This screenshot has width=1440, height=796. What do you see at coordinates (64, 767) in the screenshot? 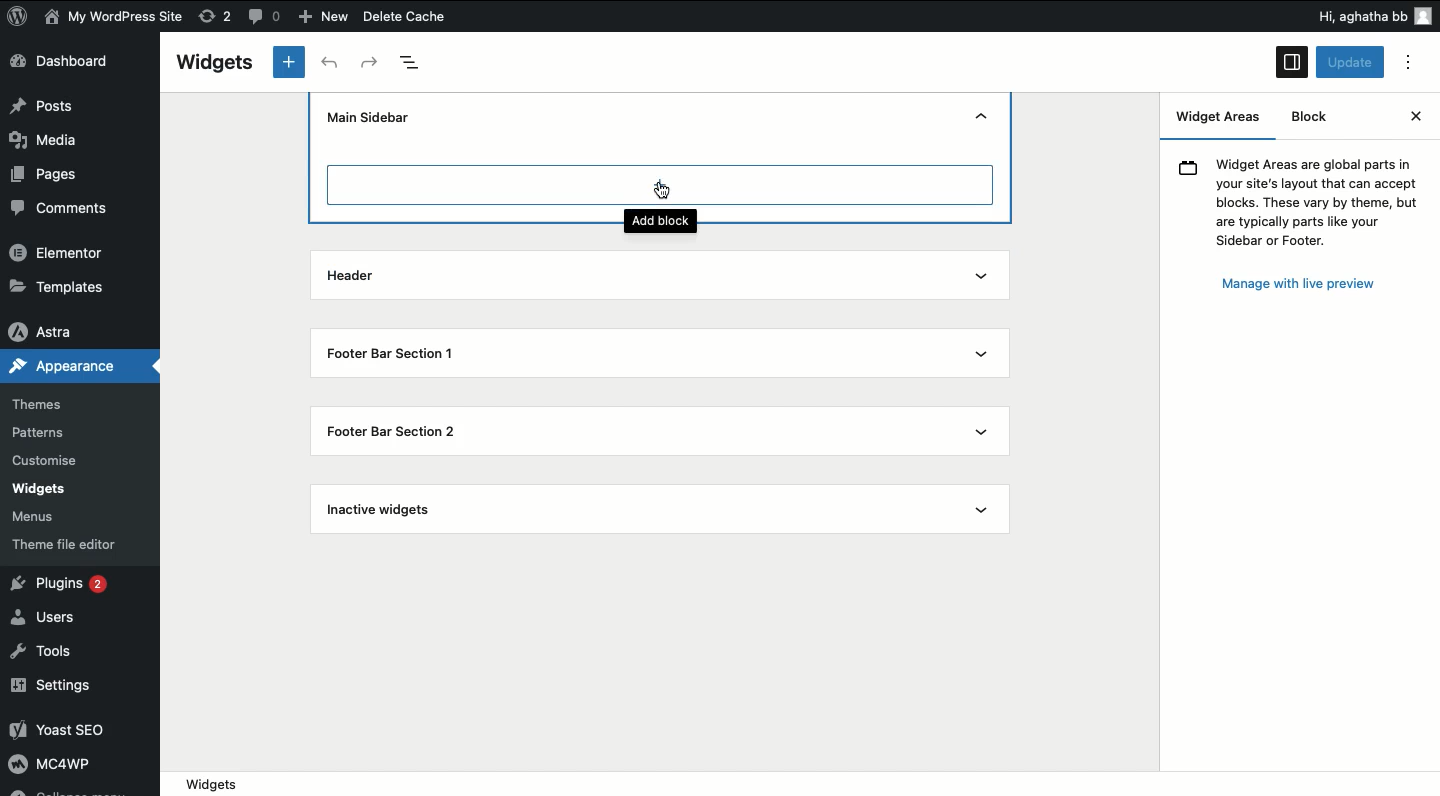
I see `MC4wp` at bounding box center [64, 767].